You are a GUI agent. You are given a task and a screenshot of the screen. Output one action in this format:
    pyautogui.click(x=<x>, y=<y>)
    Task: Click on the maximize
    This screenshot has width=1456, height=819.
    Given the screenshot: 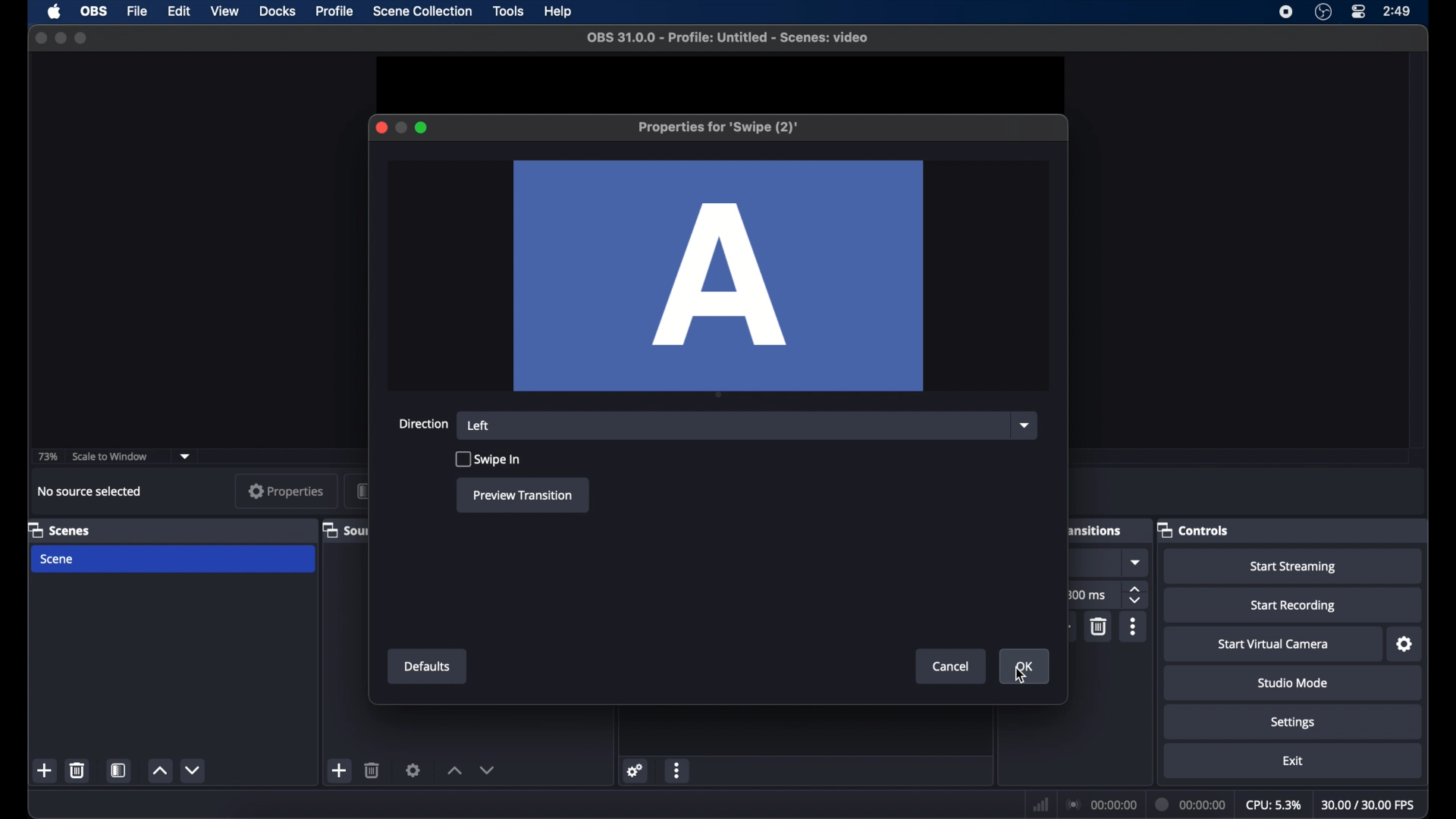 What is the action you would take?
    pyautogui.click(x=423, y=127)
    